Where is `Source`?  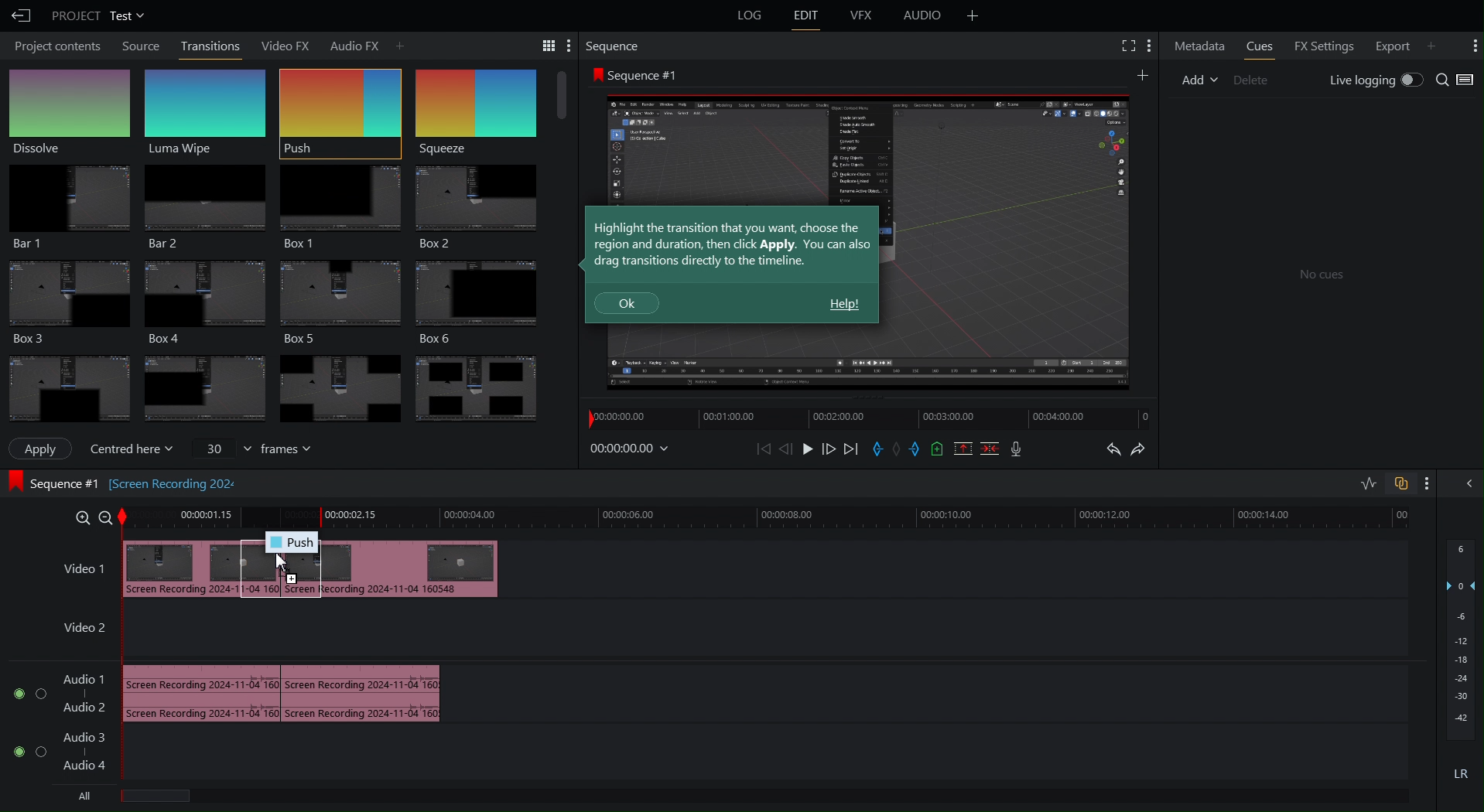 Source is located at coordinates (142, 46).